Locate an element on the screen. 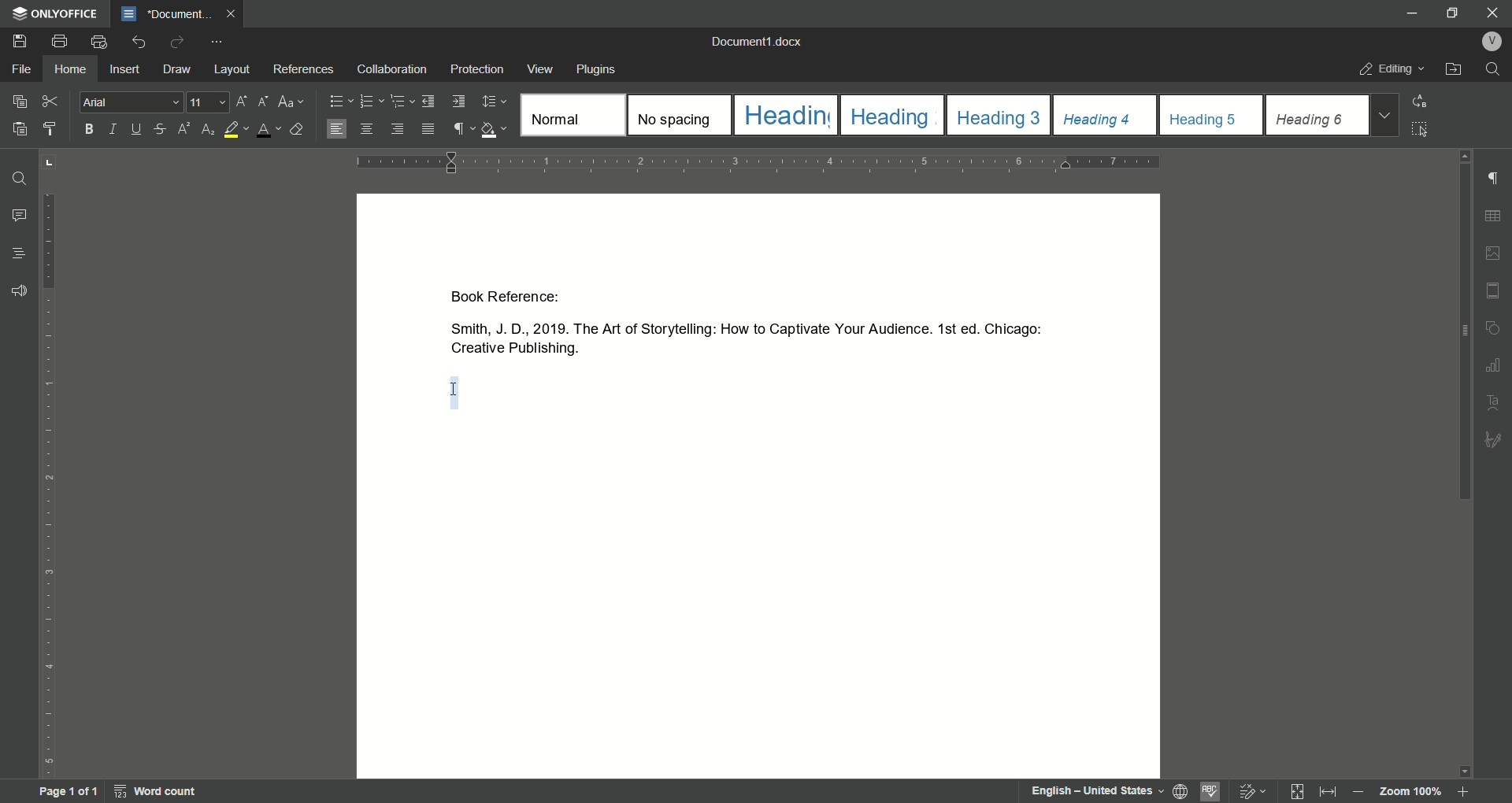 The height and width of the screenshot is (803, 1512). table is located at coordinates (1494, 215).